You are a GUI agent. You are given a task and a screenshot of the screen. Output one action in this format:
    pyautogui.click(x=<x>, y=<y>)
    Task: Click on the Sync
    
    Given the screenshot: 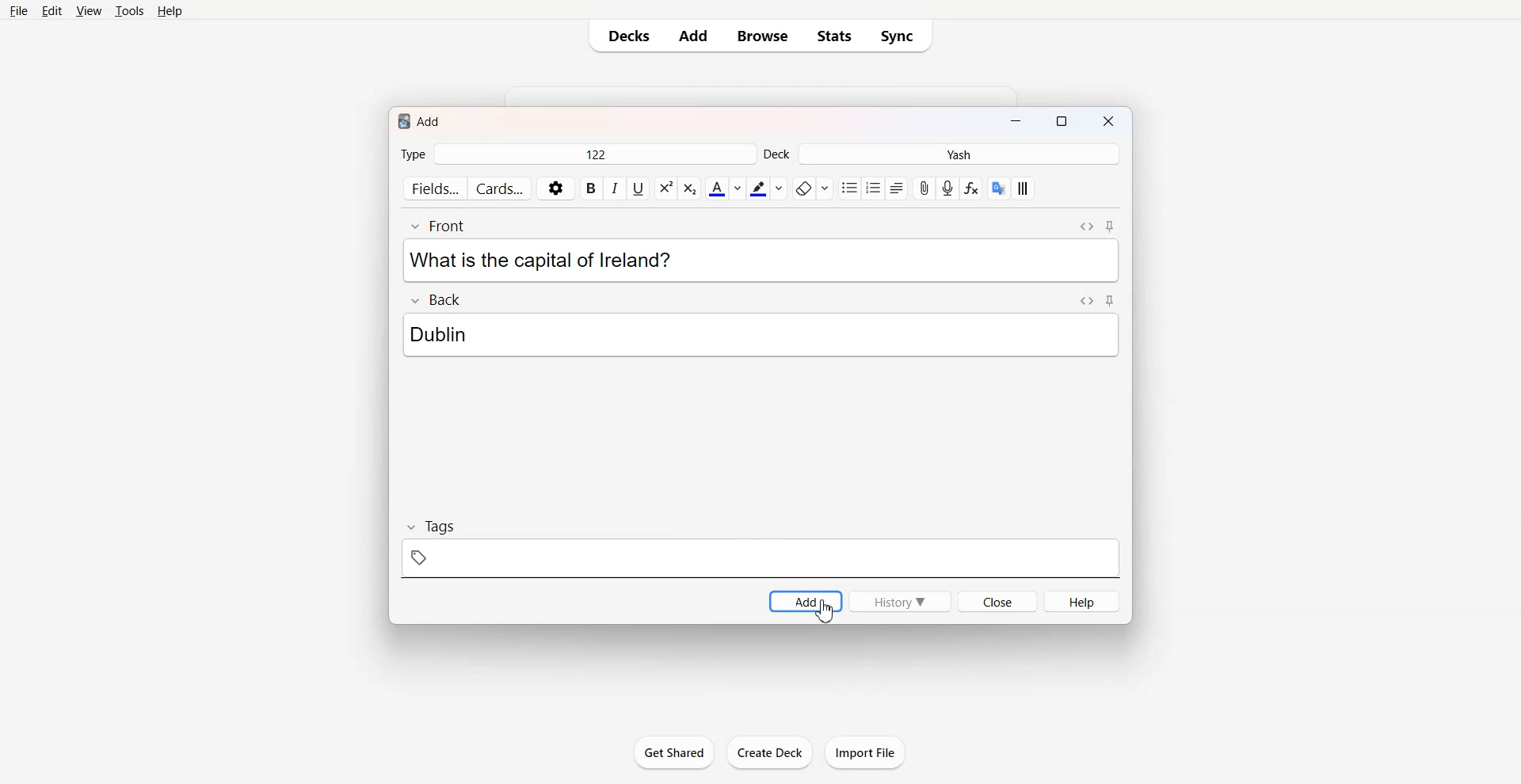 What is the action you would take?
    pyautogui.click(x=902, y=36)
    